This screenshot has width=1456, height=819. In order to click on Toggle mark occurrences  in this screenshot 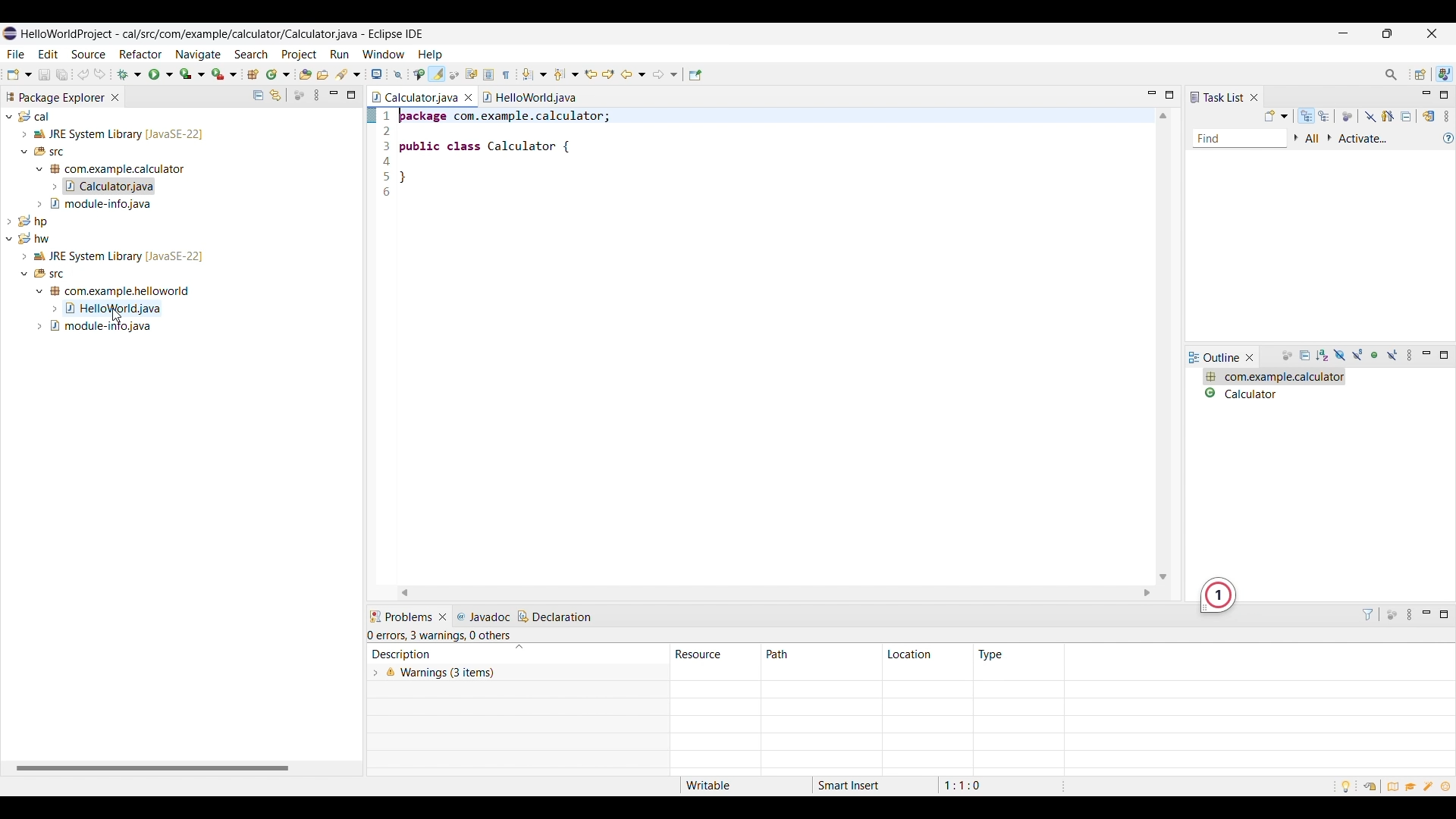, I will do `click(438, 74)`.